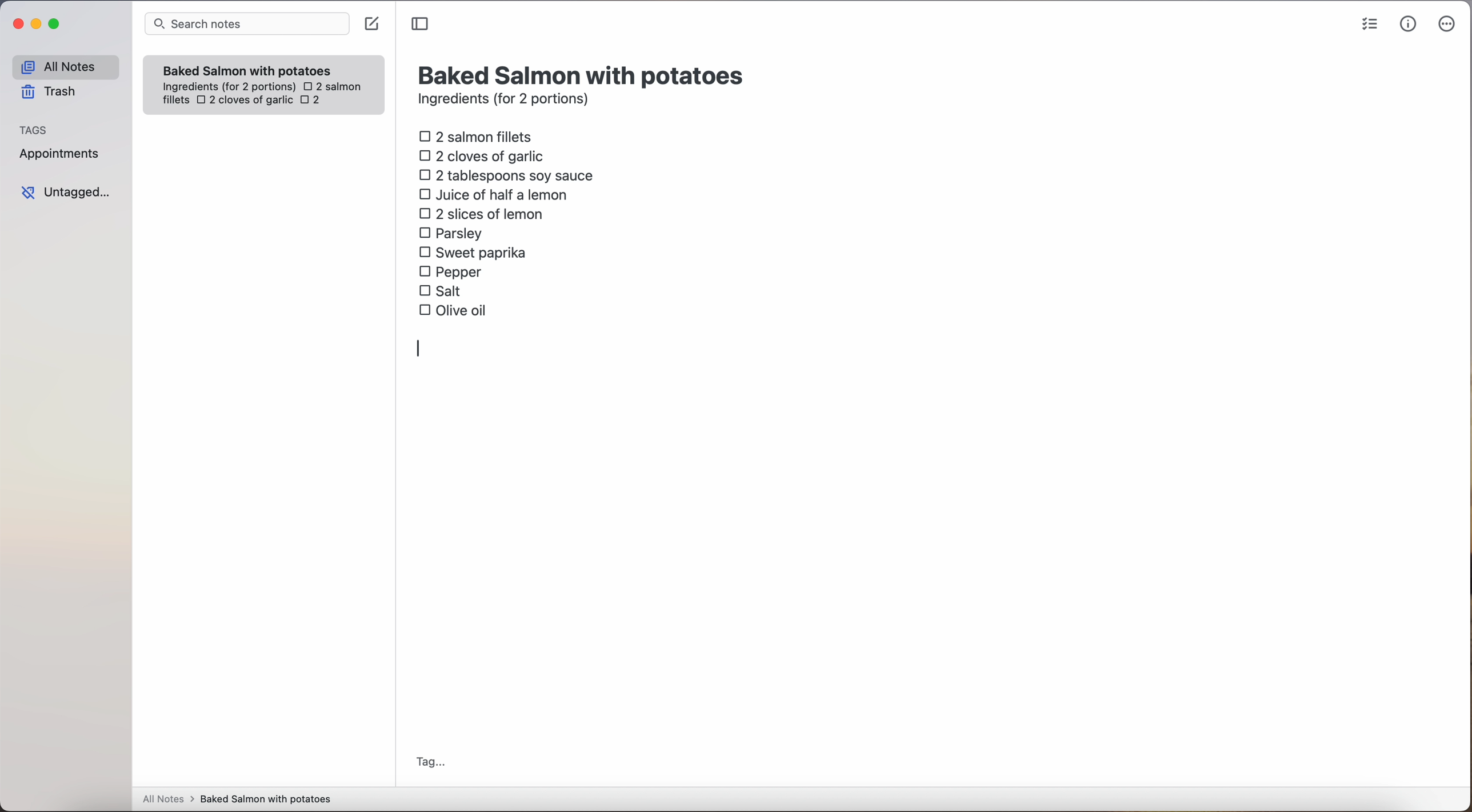 This screenshot has height=812, width=1472. Describe the element at coordinates (583, 74) in the screenshot. I see `title: Baked Salmon with potatoes` at that location.